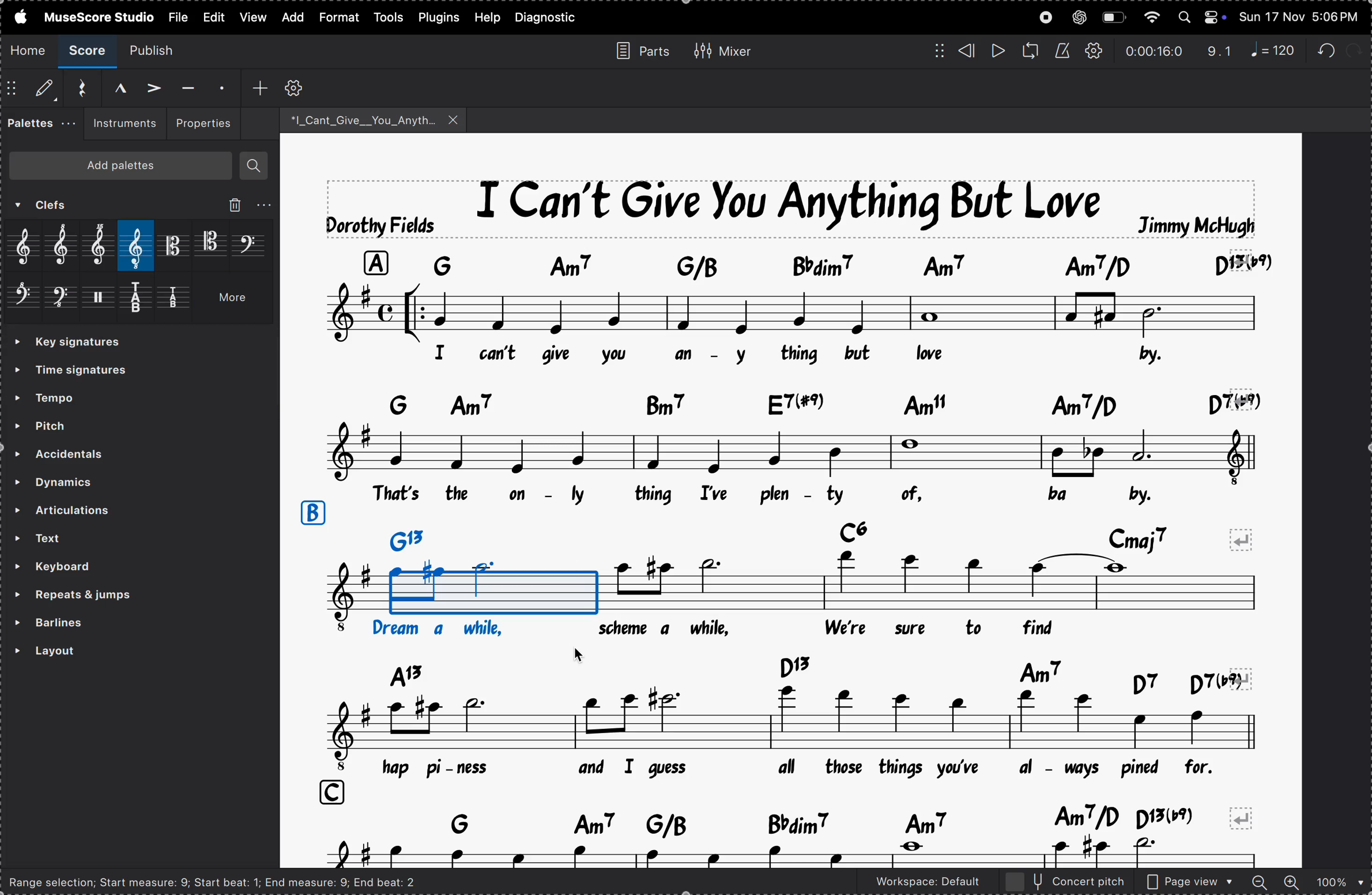 The width and height of the screenshot is (1372, 895). I want to click on search, so click(254, 166).